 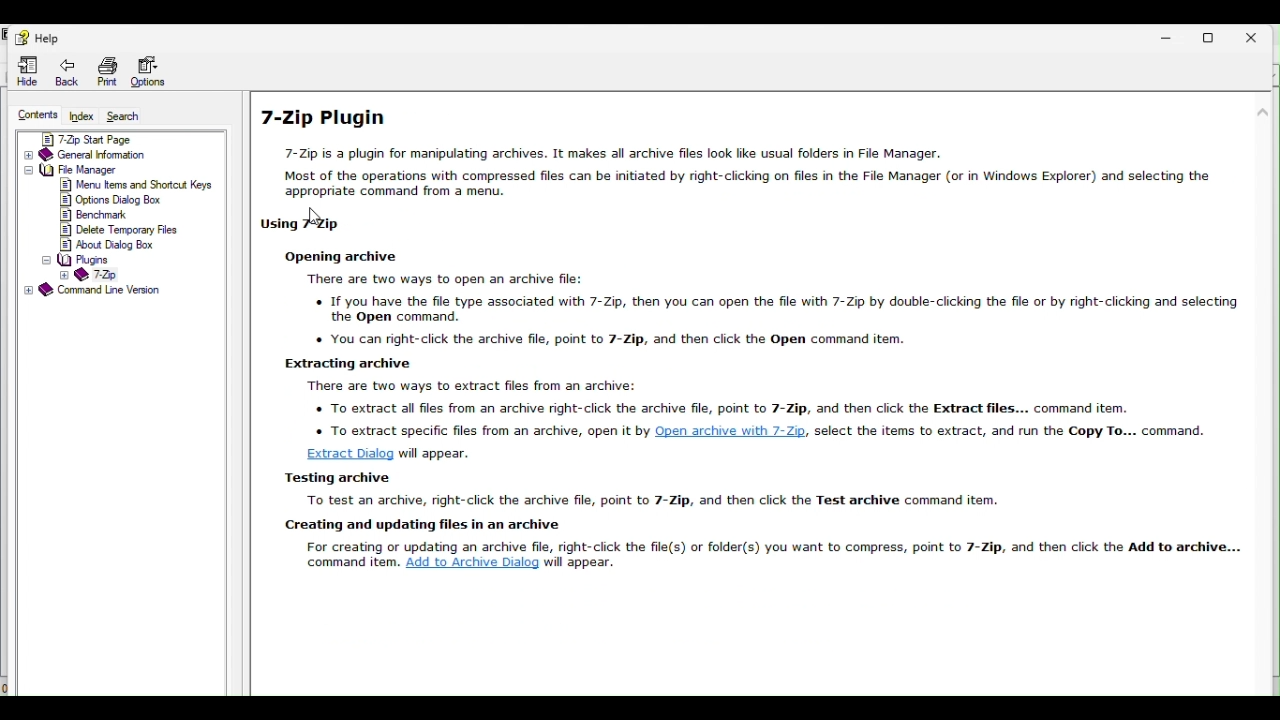 I want to click on Close, so click(x=1261, y=33).